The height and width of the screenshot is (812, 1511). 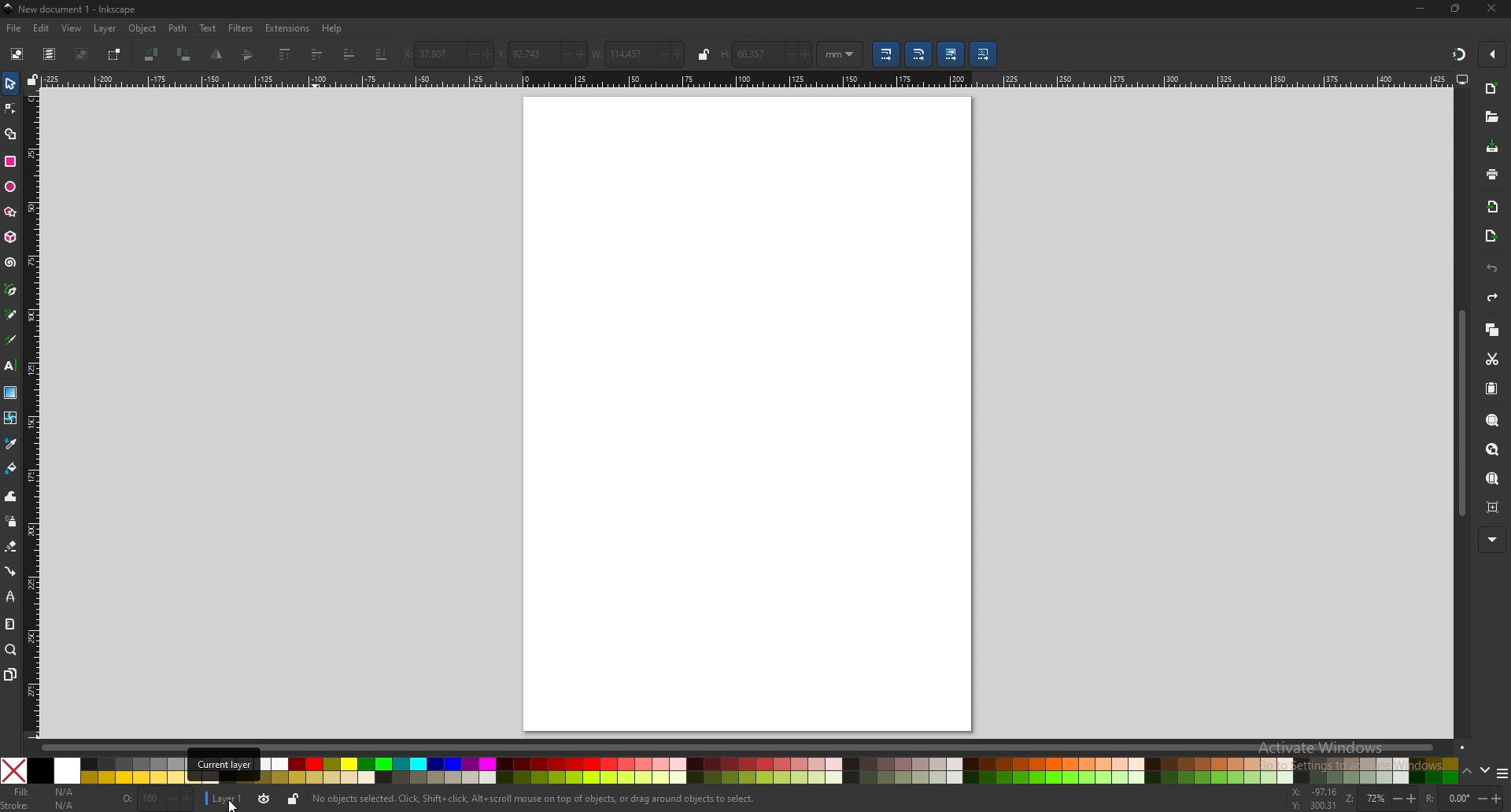 I want to click on print, so click(x=1492, y=175).